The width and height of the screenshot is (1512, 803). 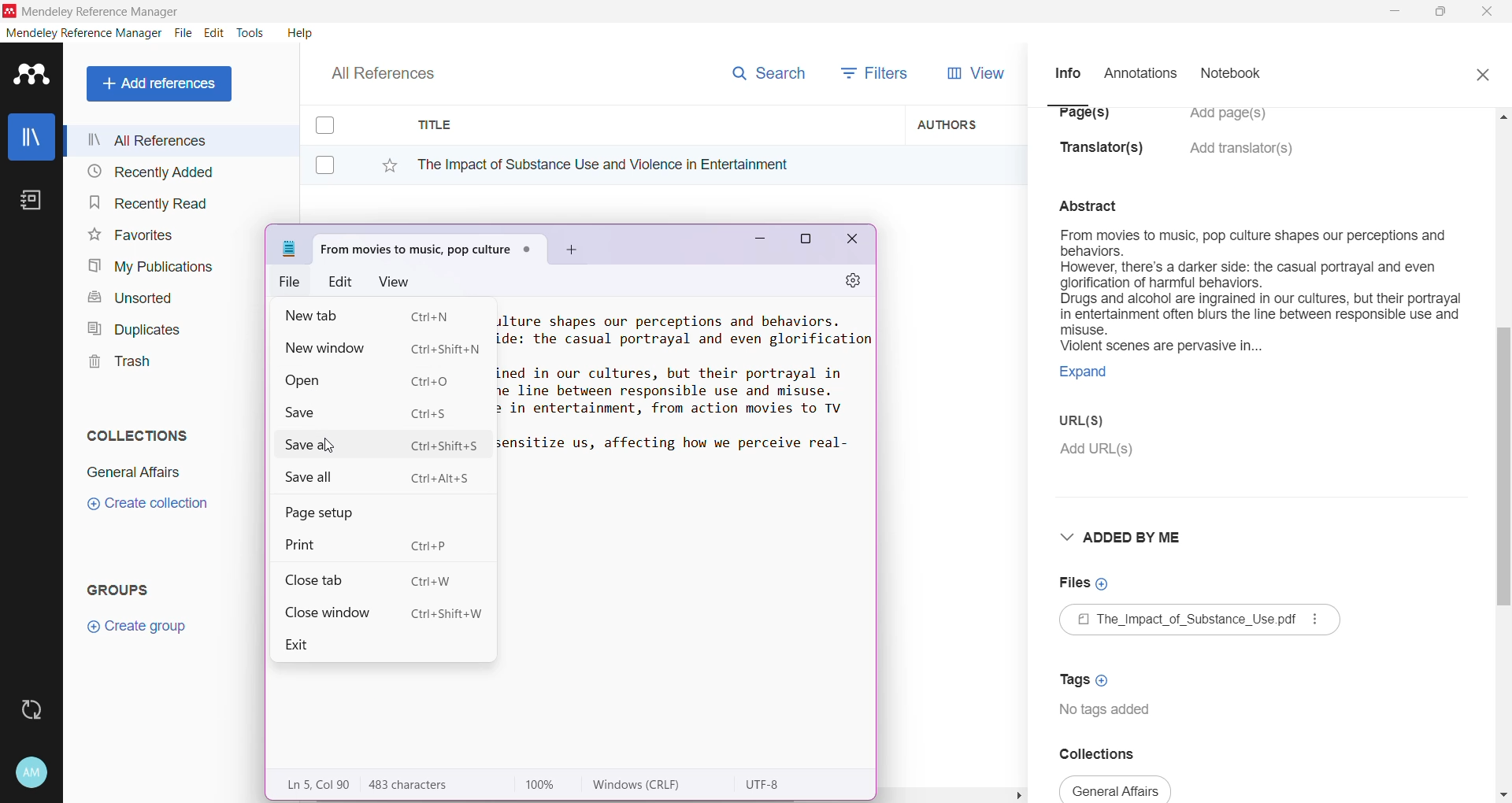 What do you see at coordinates (573, 250) in the screenshot?
I see `Add New Tab` at bounding box center [573, 250].